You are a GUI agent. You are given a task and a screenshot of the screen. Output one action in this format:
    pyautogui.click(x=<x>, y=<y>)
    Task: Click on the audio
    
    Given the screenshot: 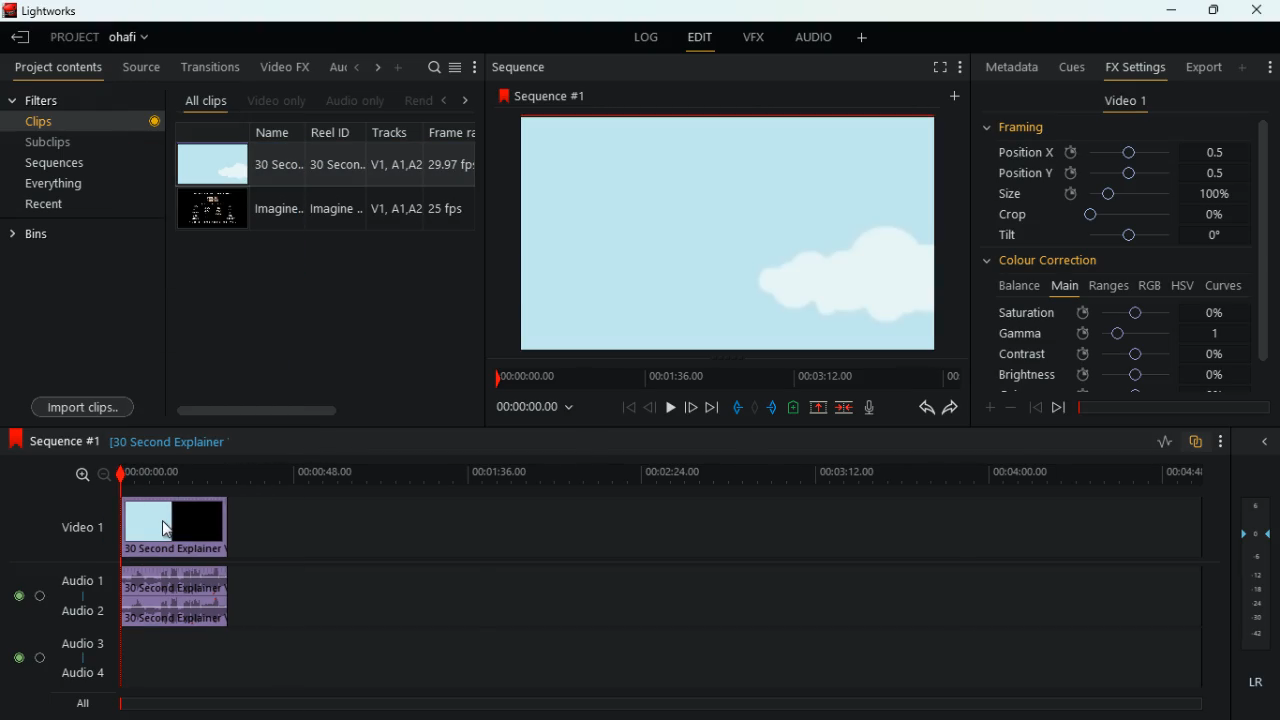 What is the action you would take?
    pyautogui.click(x=176, y=596)
    